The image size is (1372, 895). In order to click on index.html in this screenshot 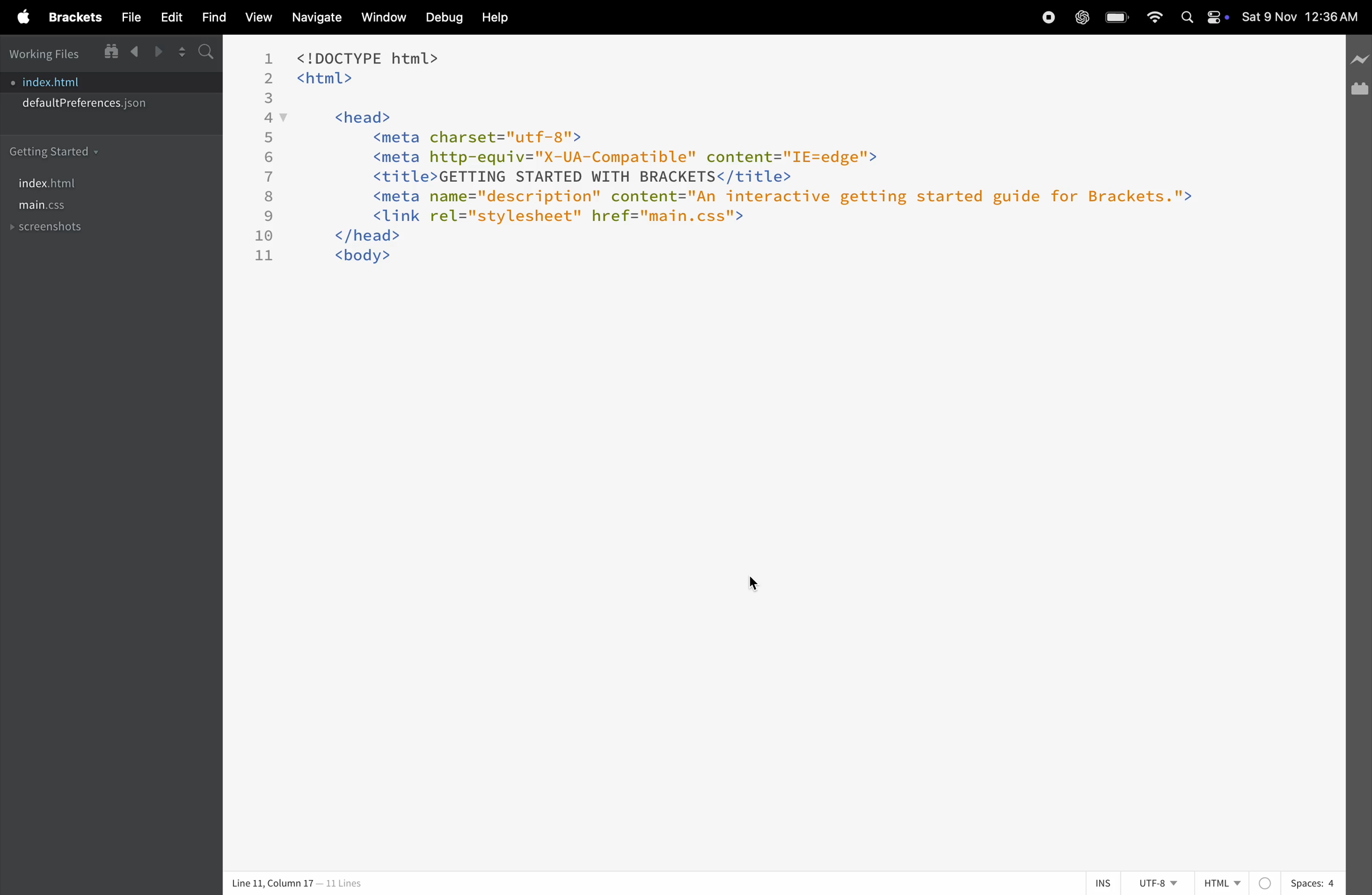, I will do `click(61, 183)`.